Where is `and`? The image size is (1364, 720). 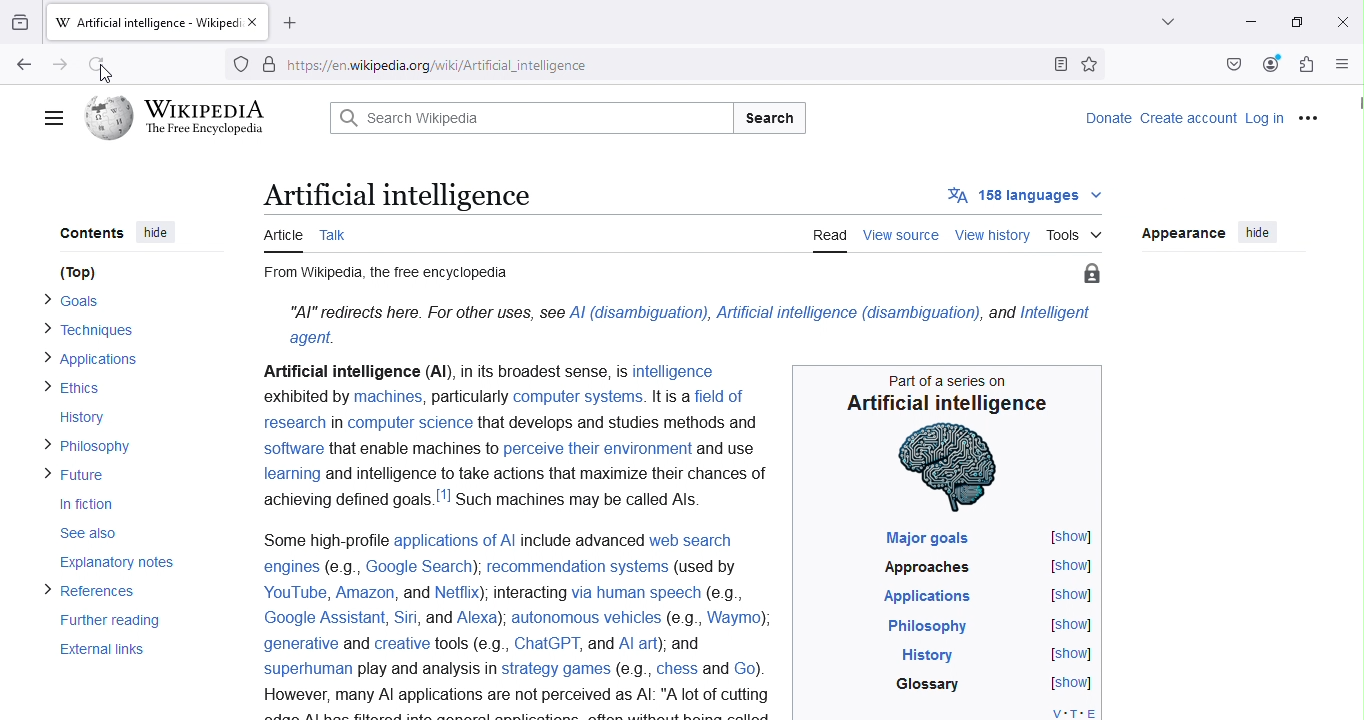
and is located at coordinates (355, 645).